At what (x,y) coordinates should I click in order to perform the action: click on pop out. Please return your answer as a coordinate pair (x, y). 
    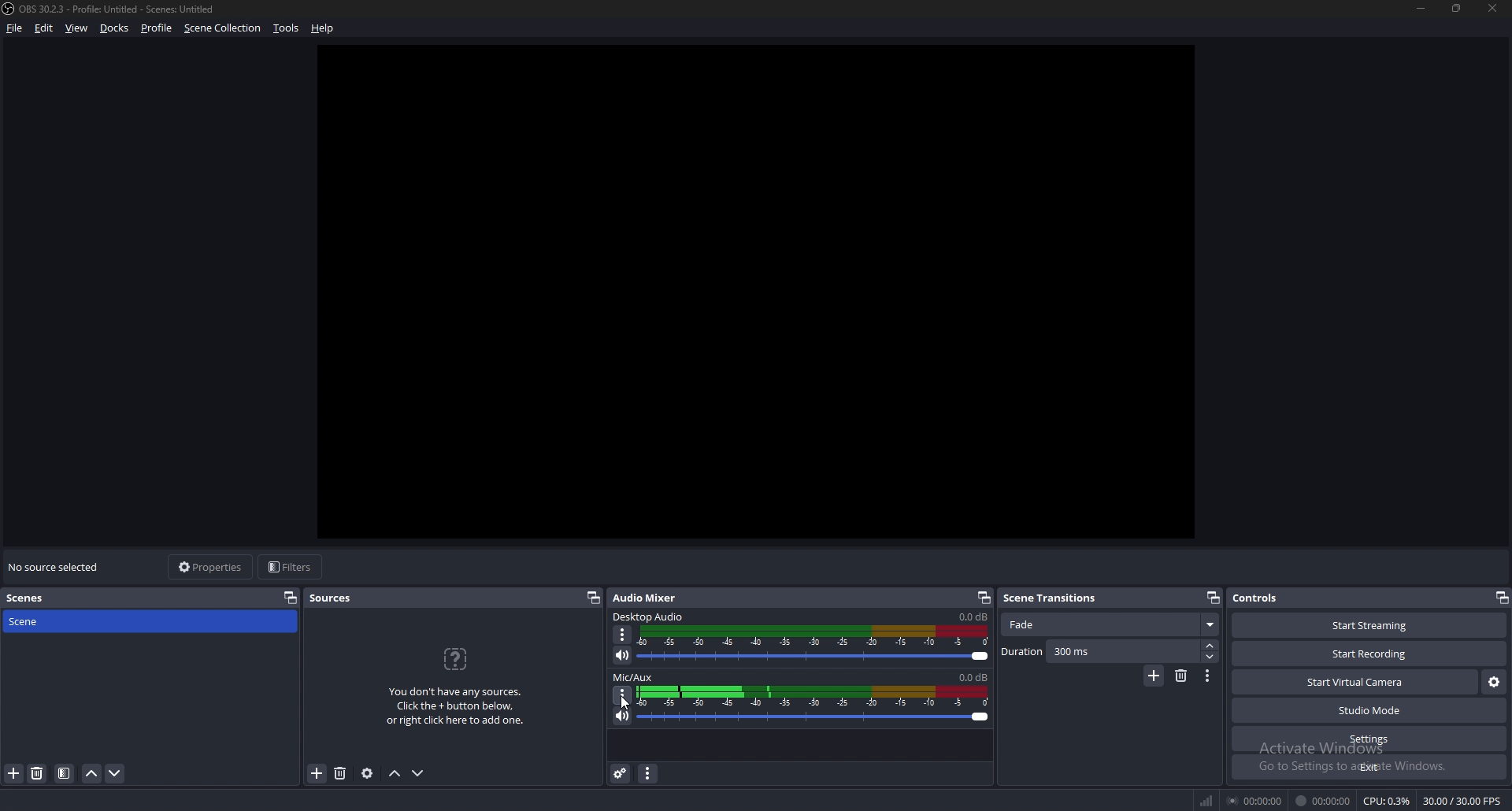
    Looking at the image, I should click on (1503, 598).